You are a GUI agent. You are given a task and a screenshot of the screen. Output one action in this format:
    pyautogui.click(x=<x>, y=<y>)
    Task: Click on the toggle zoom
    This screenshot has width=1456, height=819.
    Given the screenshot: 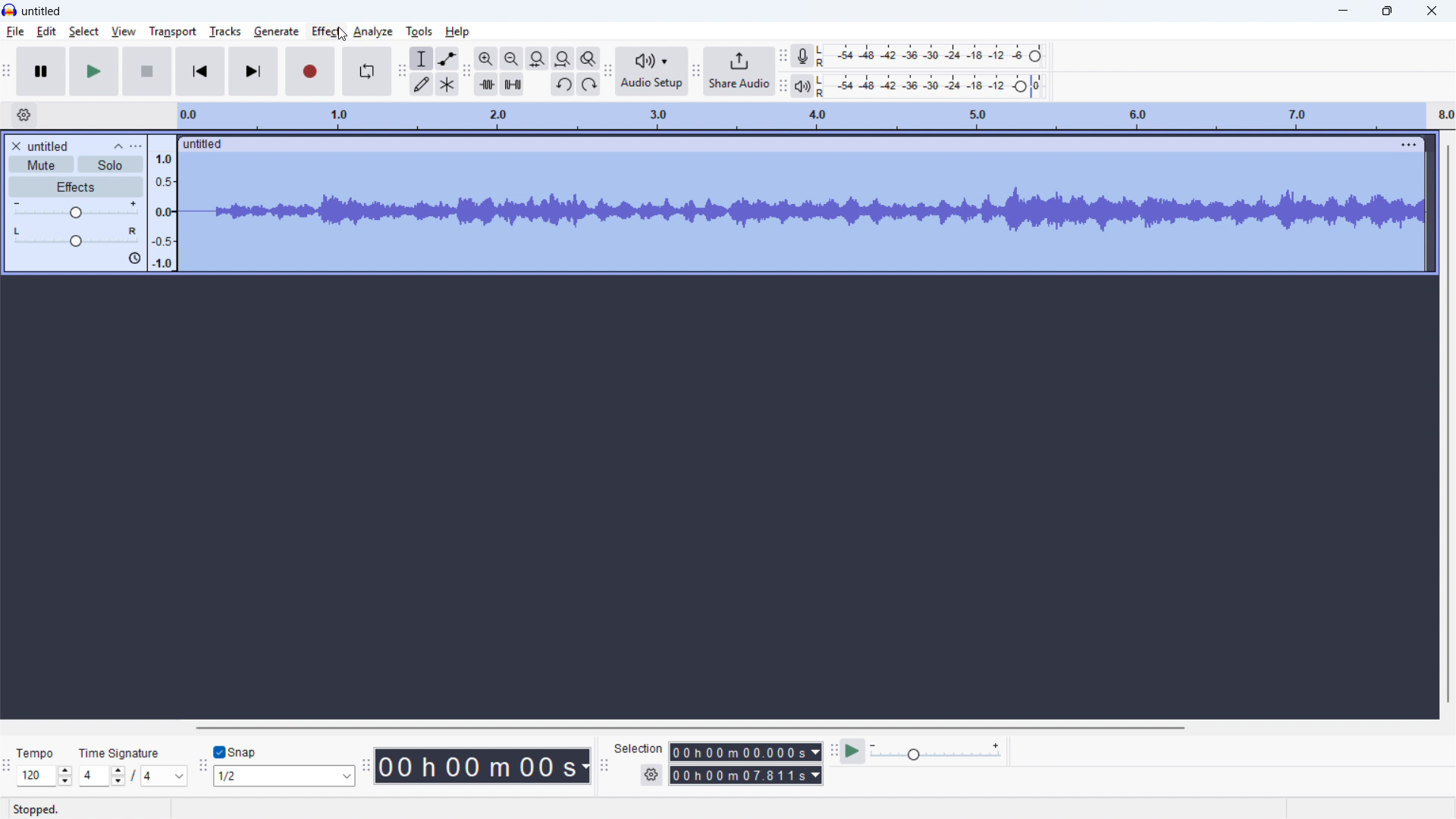 What is the action you would take?
    pyautogui.click(x=589, y=59)
    